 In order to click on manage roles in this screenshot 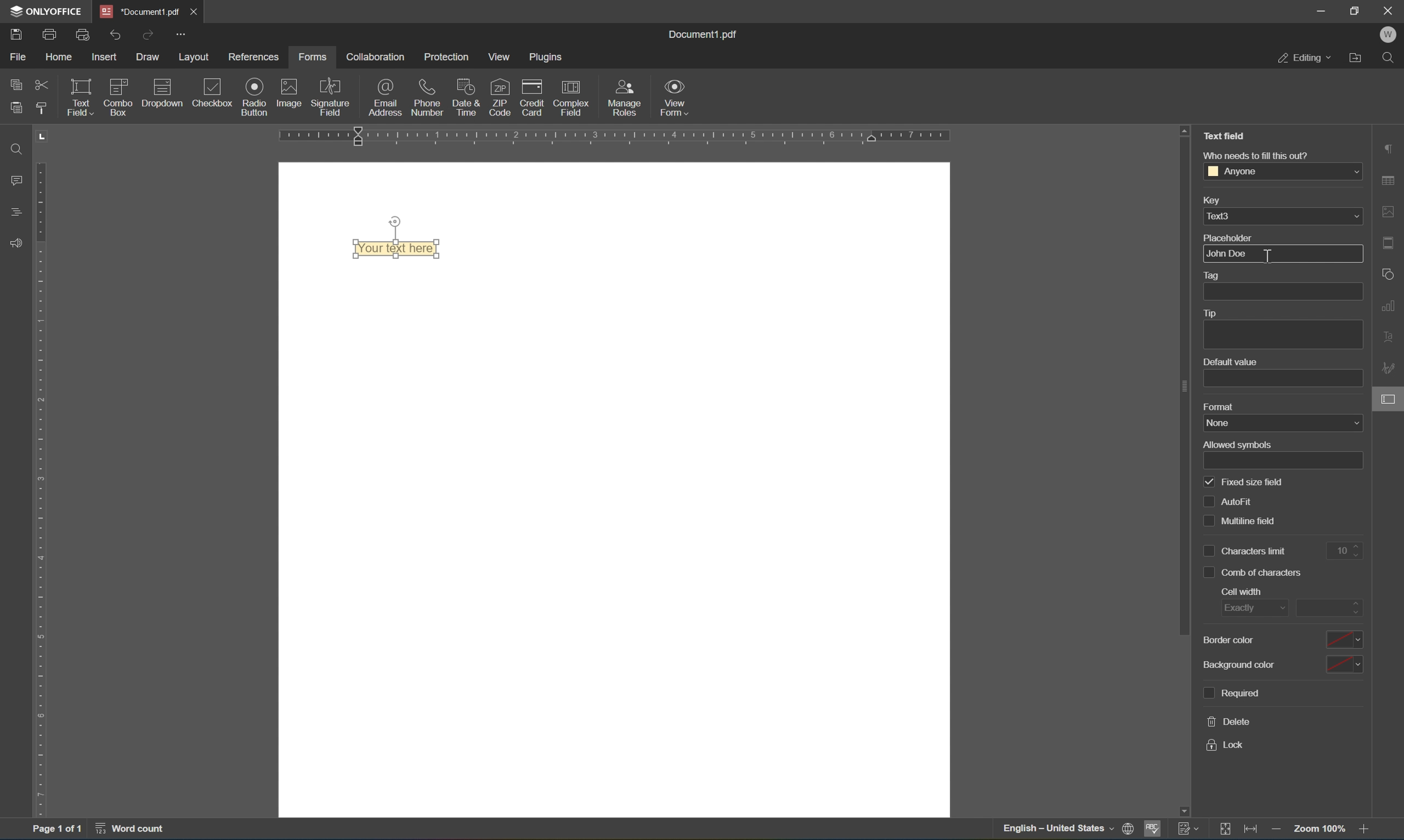, I will do `click(624, 100)`.